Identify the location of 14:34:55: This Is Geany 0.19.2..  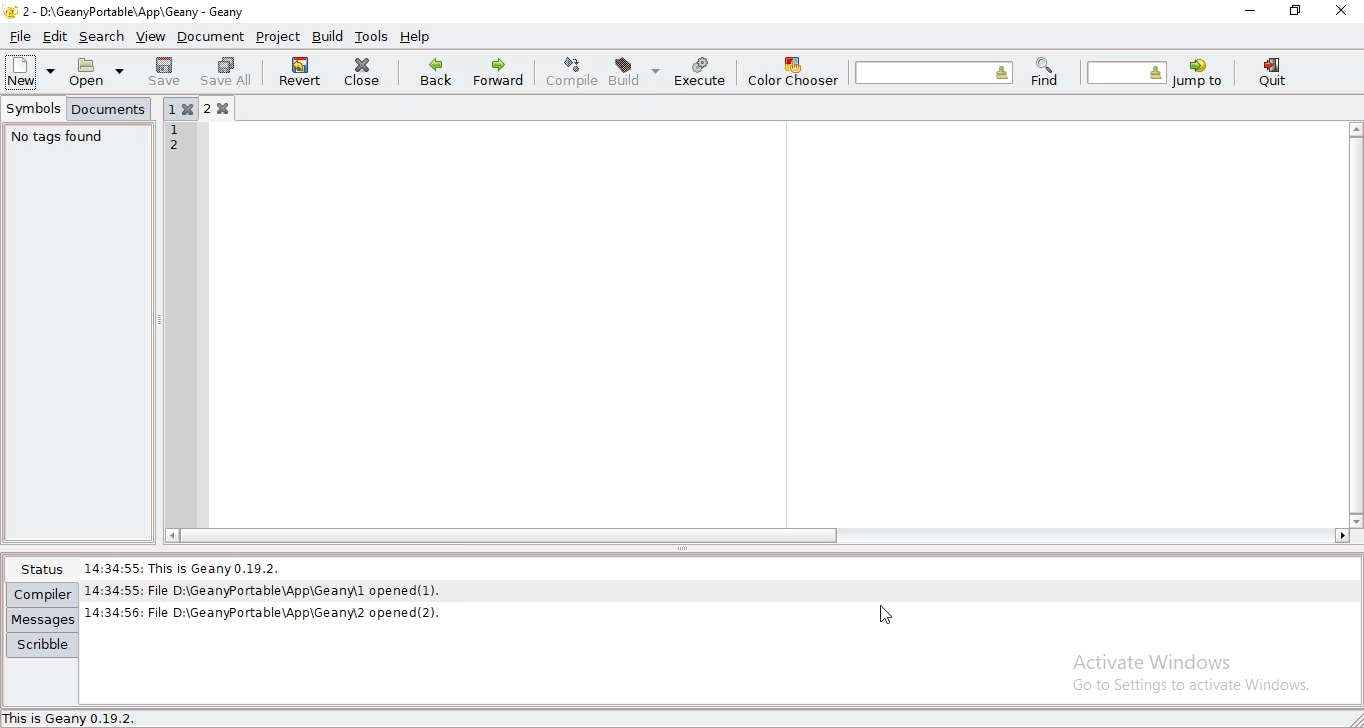
(189, 564).